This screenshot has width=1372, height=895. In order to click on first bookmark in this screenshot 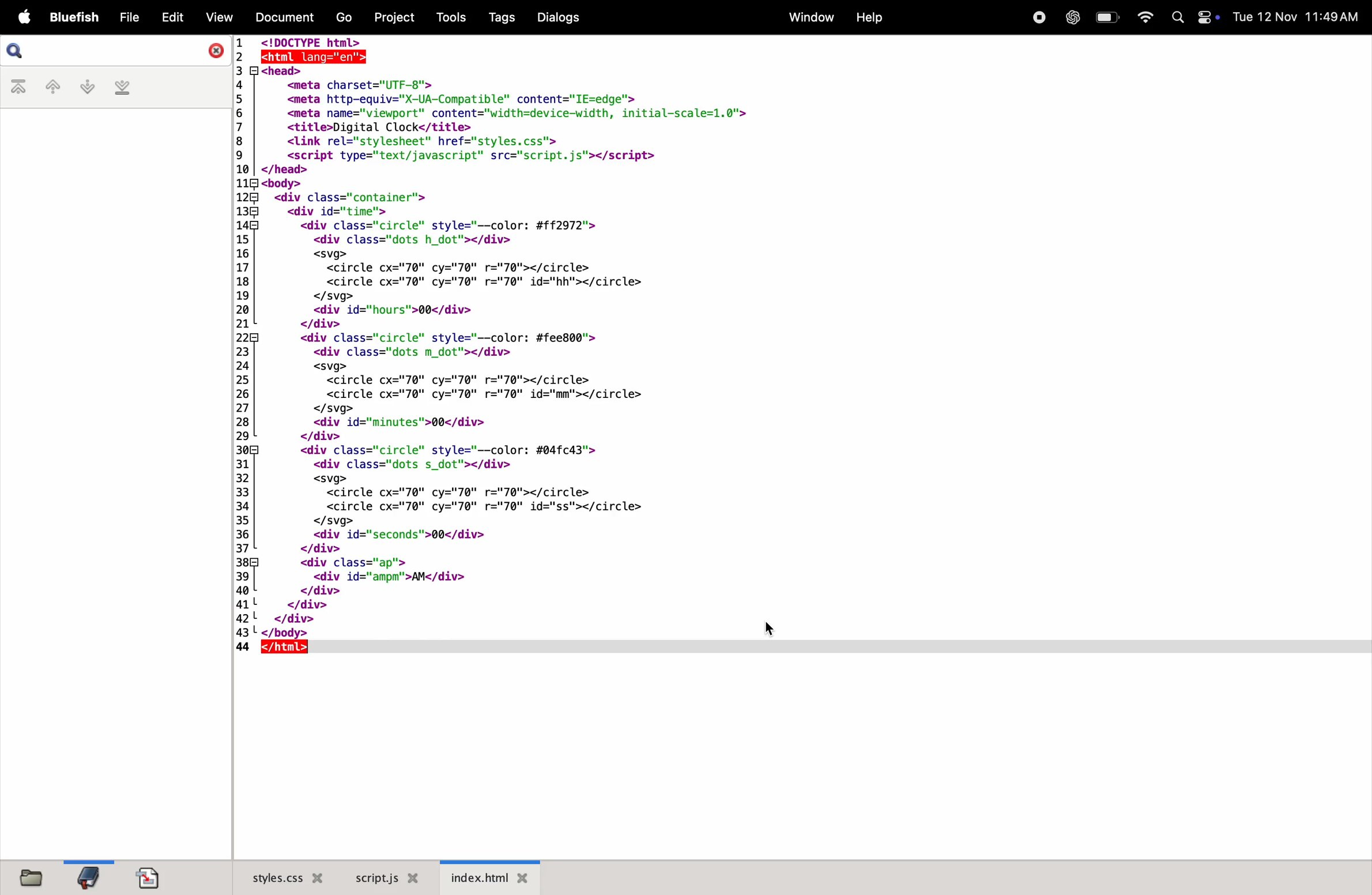, I will do `click(20, 88)`.